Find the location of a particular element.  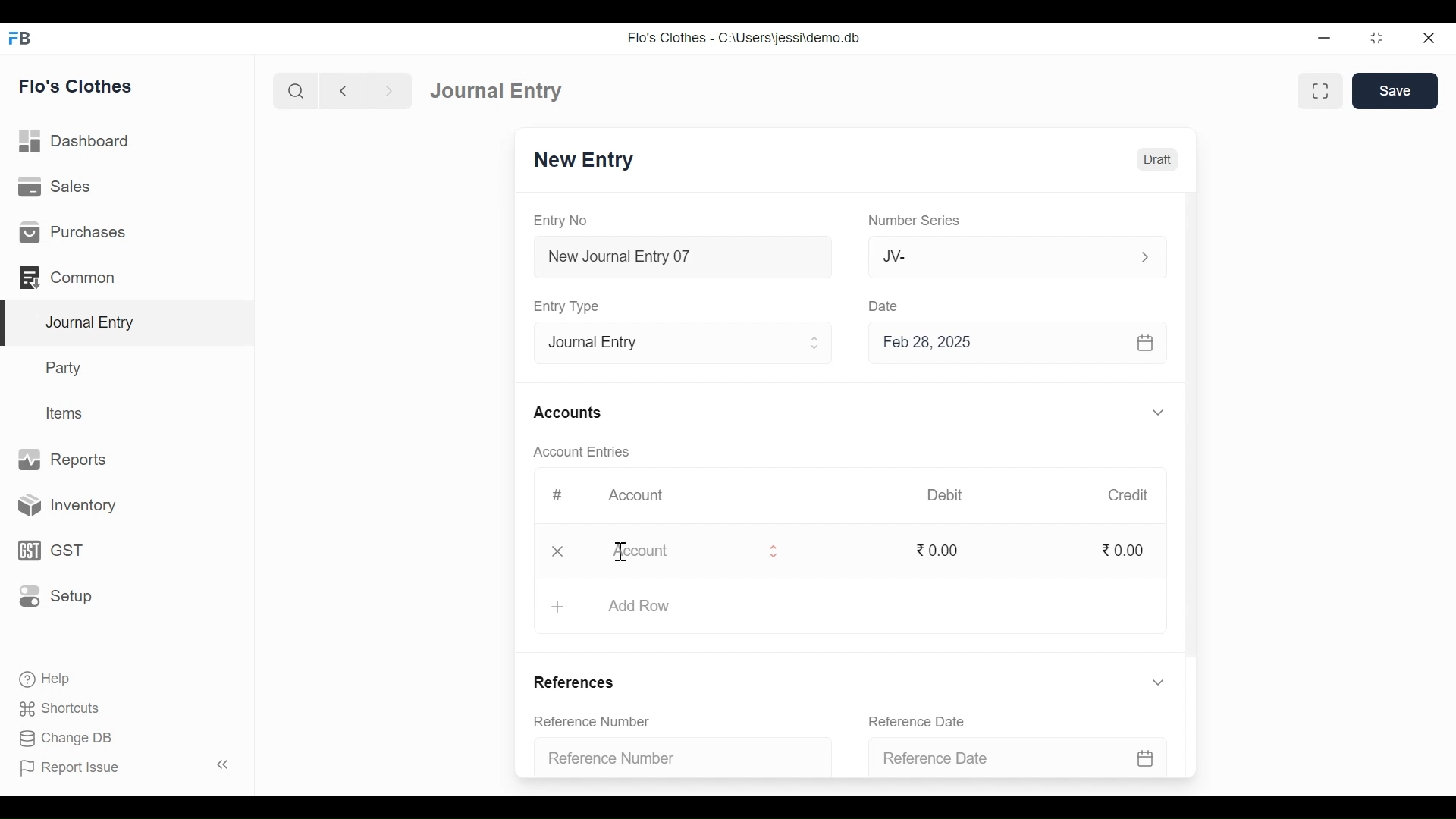

Report Issue is located at coordinates (69, 767).